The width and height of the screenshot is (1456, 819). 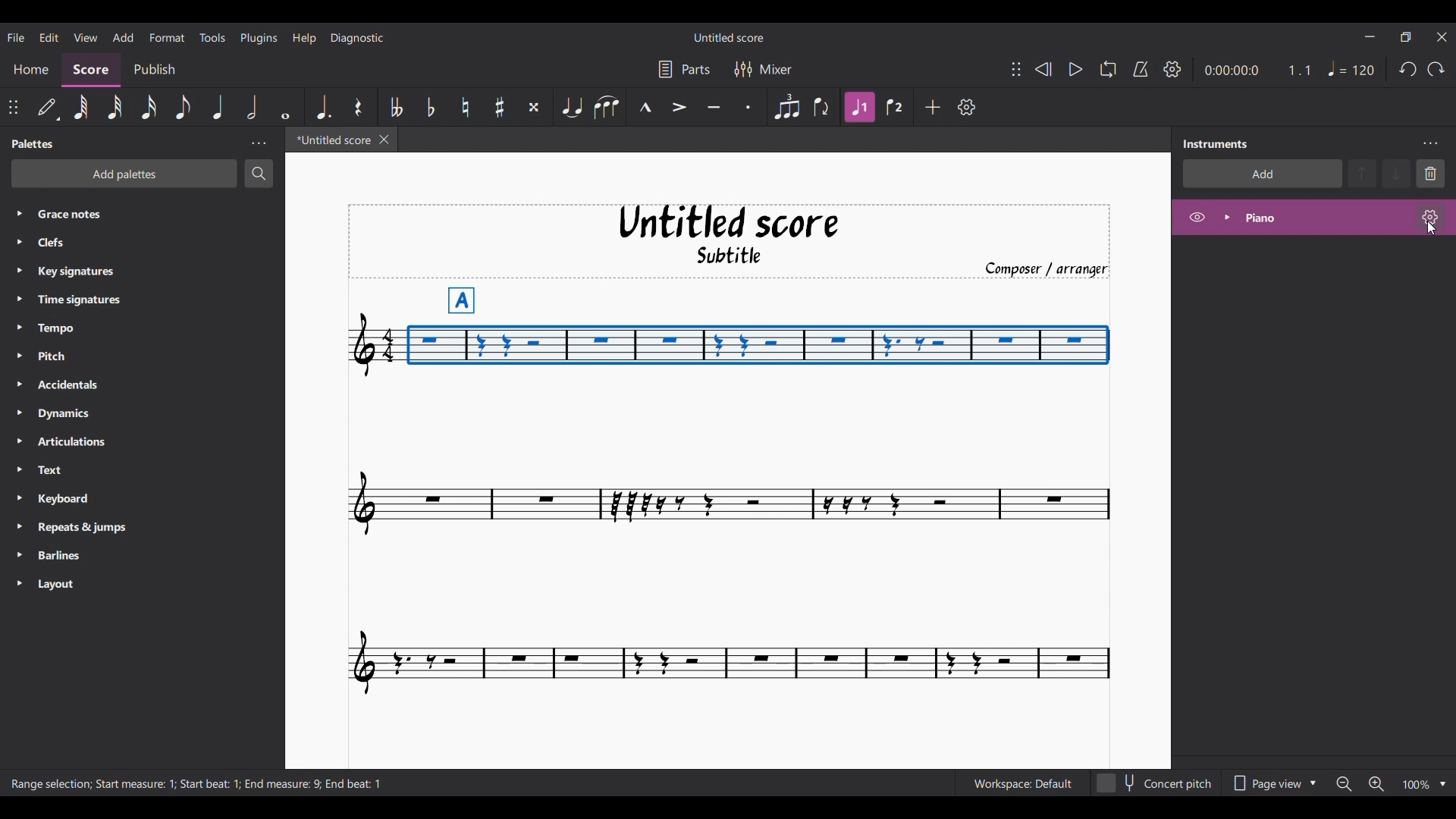 What do you see at coordinates (678, 107) in the screenshot?
I see `Accent` at bounding box center [678, 107].